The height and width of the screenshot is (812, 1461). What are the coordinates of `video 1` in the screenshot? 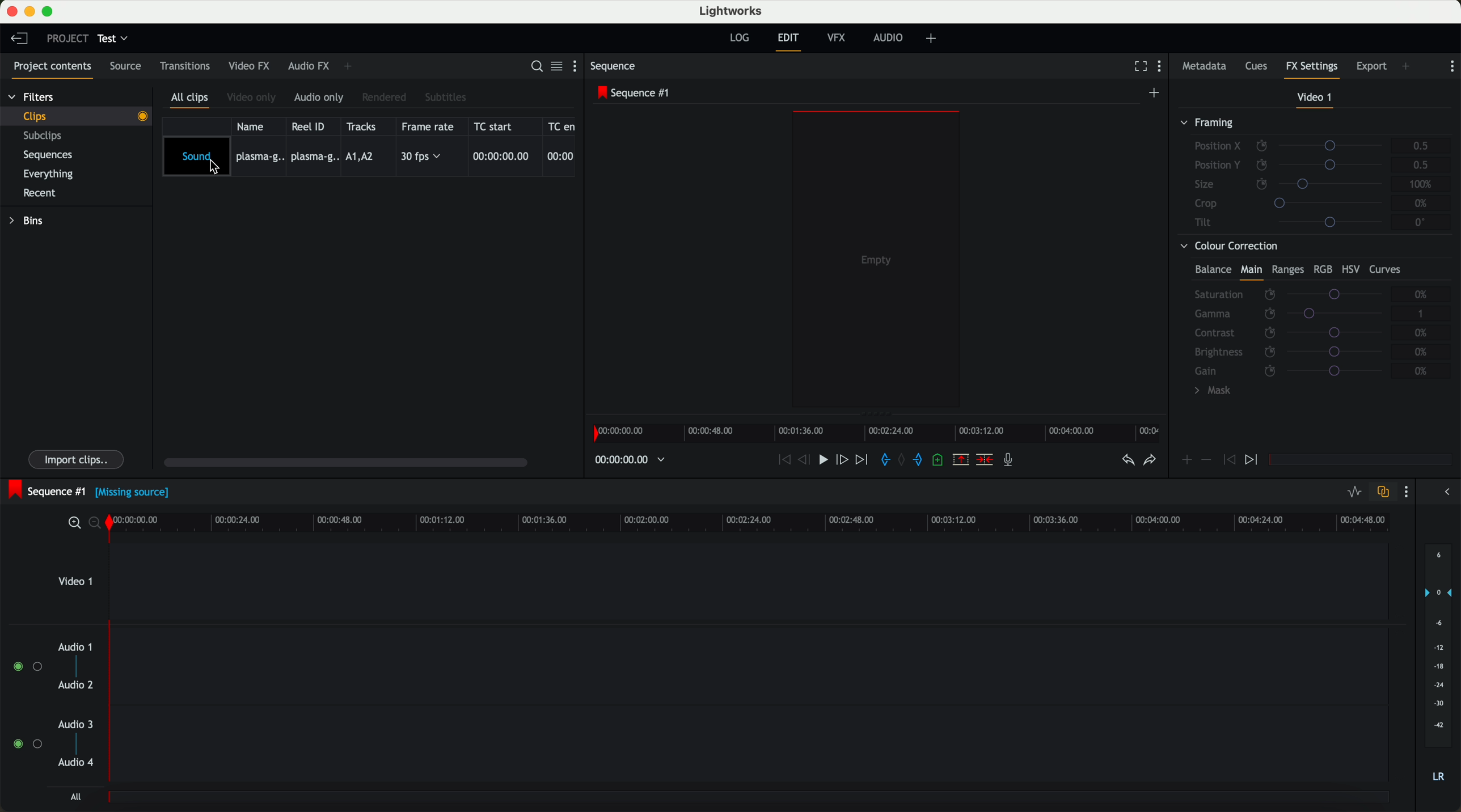 It's located at (717, 581).